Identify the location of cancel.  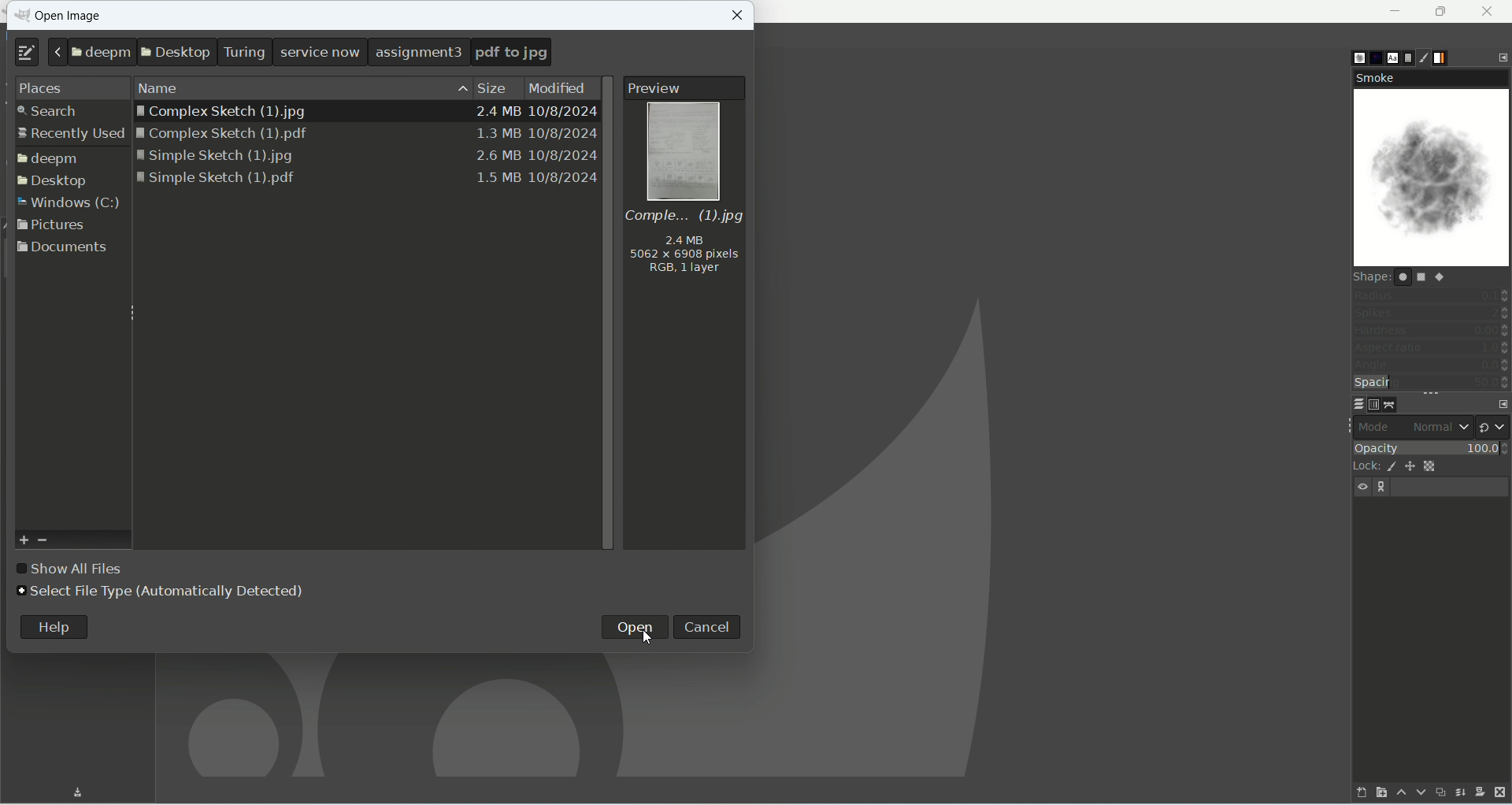
(707, 627).